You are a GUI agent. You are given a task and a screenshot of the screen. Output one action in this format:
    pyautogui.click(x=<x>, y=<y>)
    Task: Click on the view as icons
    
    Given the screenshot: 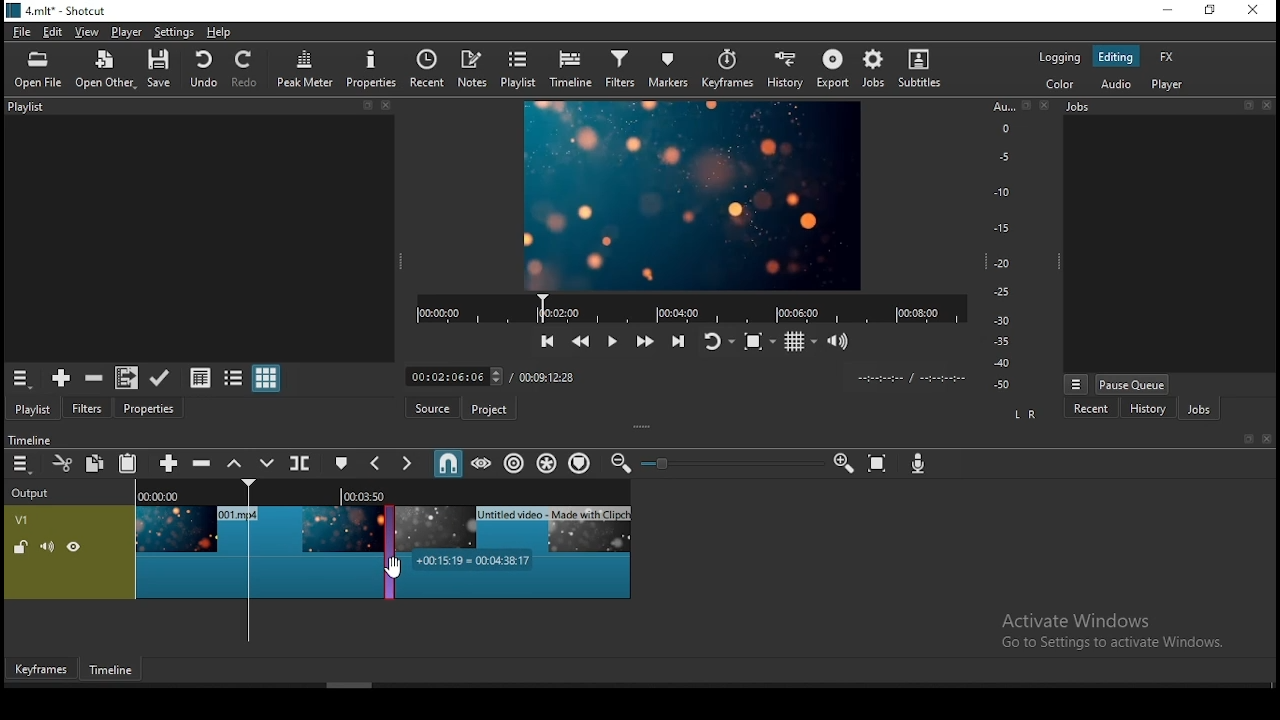 What is the action you would take?
    pyautogui.click(x=267, y=379)
    